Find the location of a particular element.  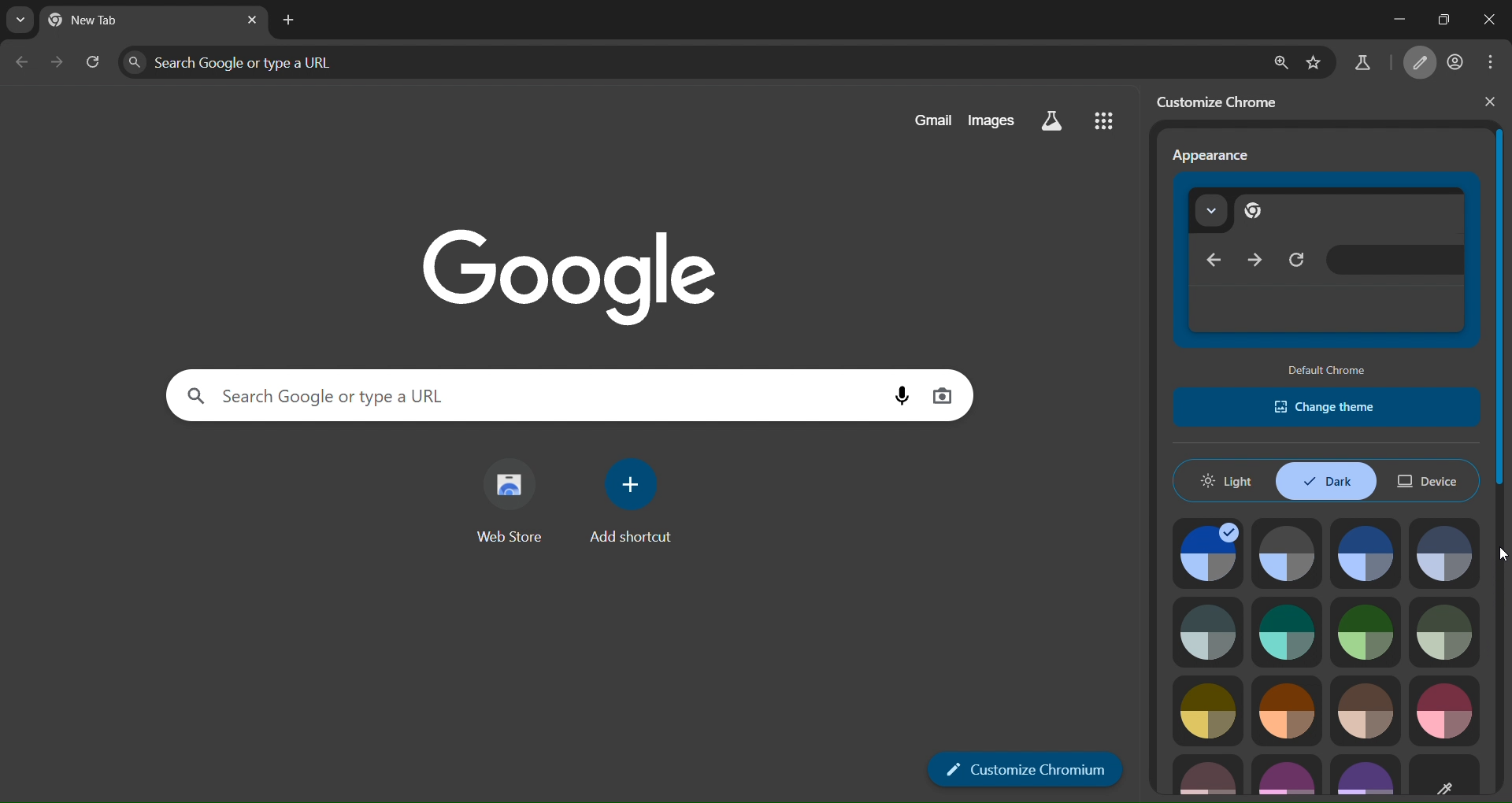

theme is located at coordinates (1364, 772).